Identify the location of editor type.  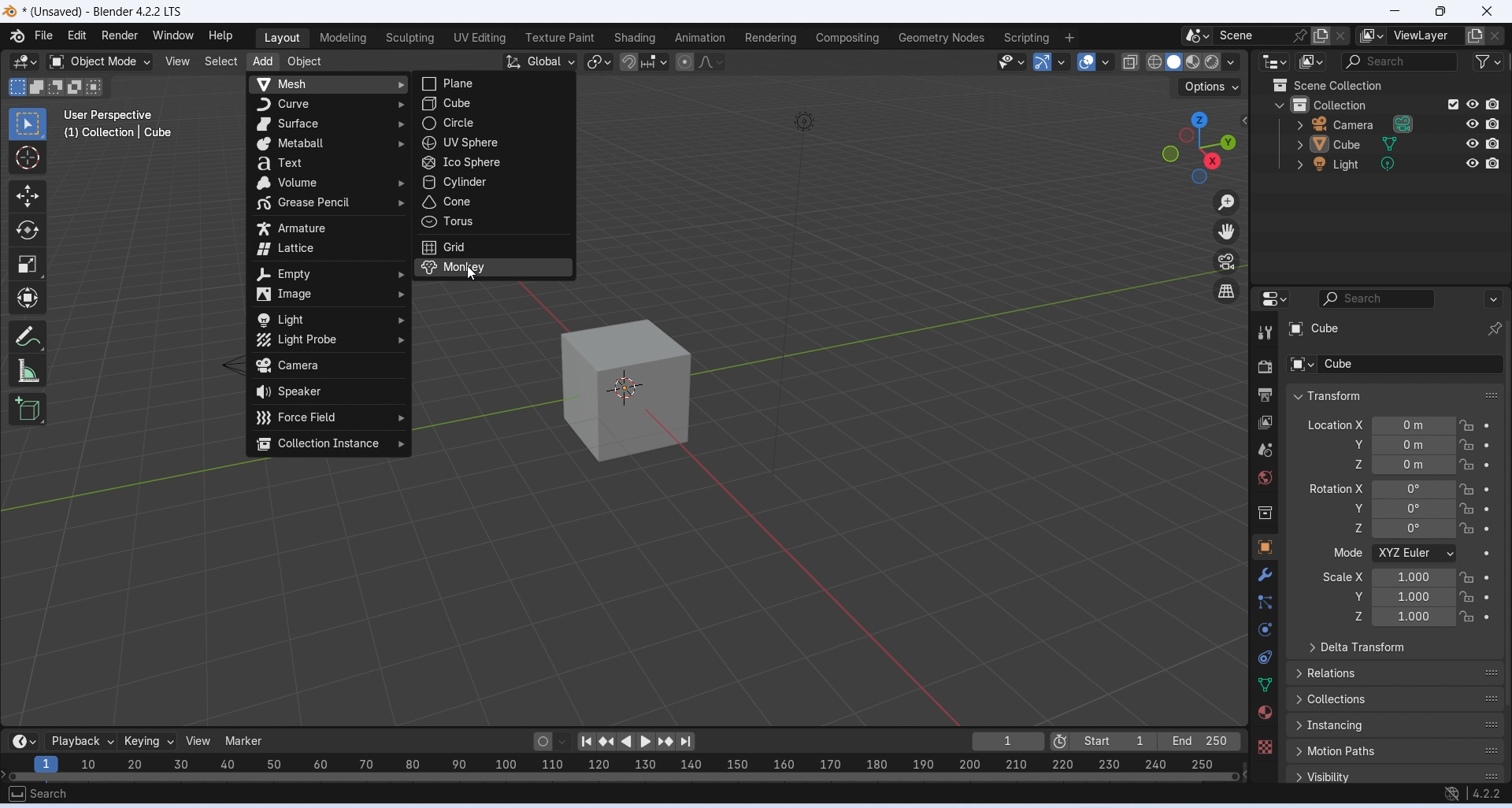
(1277, 61).